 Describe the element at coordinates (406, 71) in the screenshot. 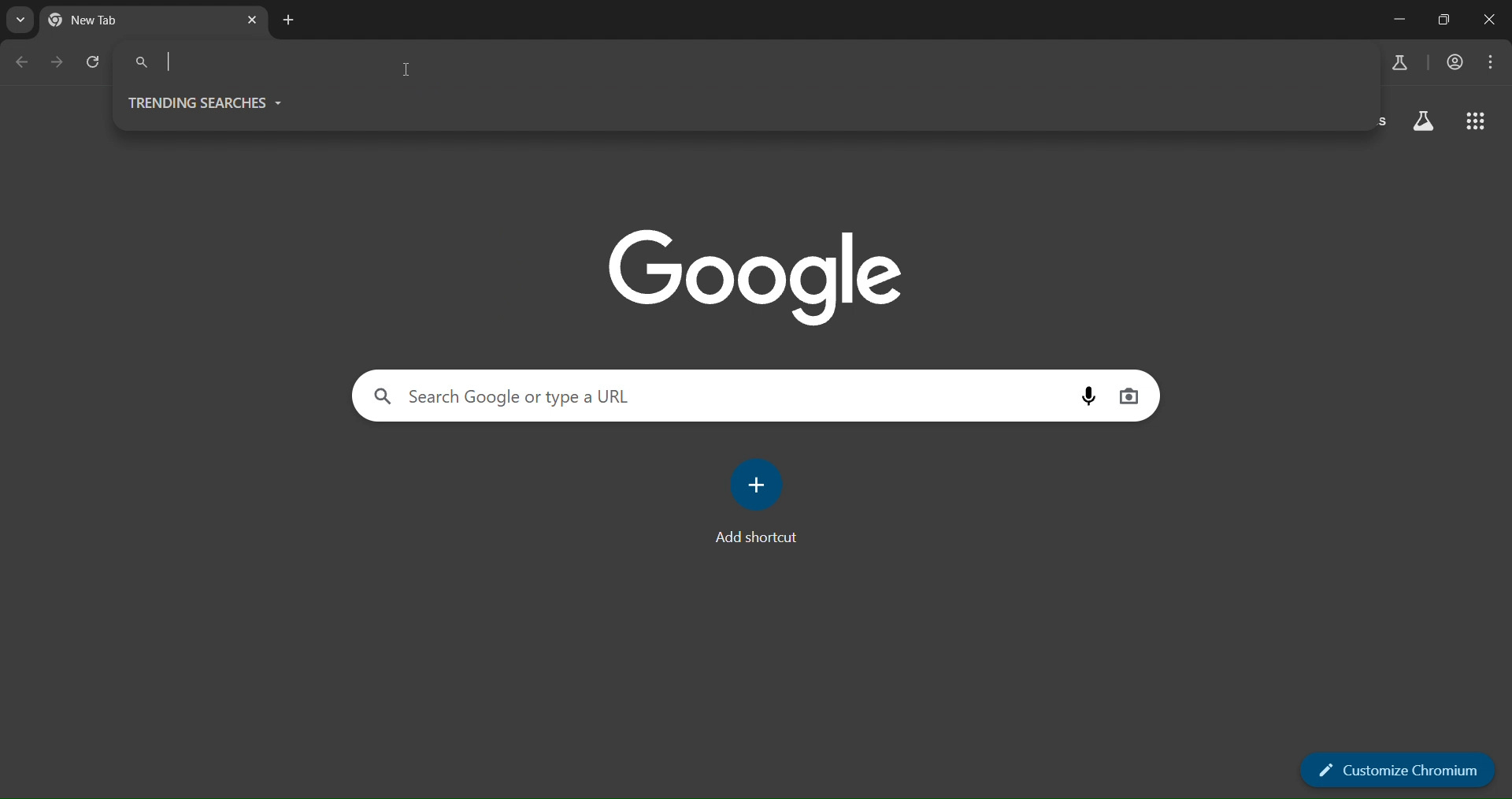

I see `cursor` at that location.